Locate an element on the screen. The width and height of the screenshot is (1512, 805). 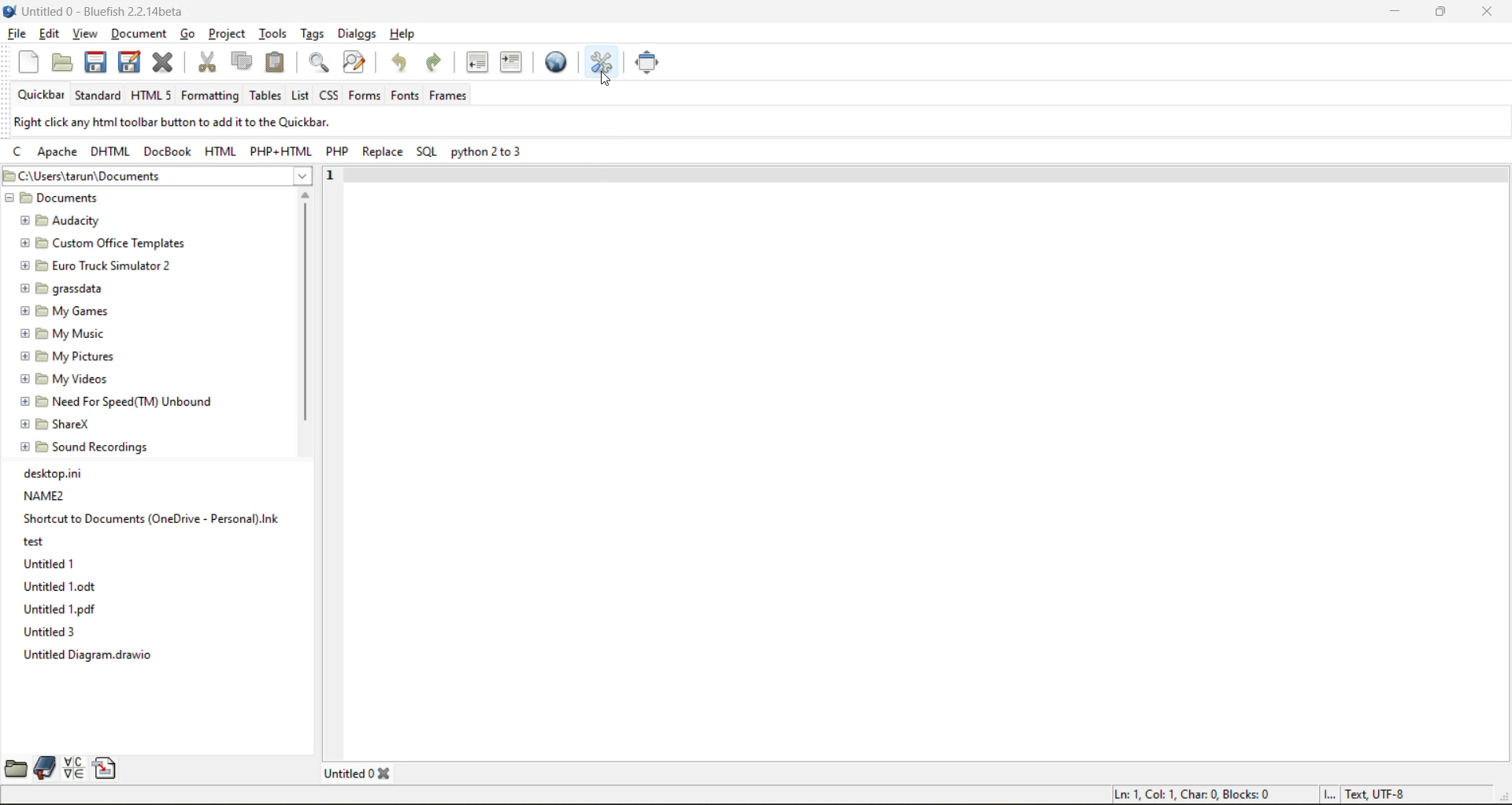
view is located at coordinates (85, 35).